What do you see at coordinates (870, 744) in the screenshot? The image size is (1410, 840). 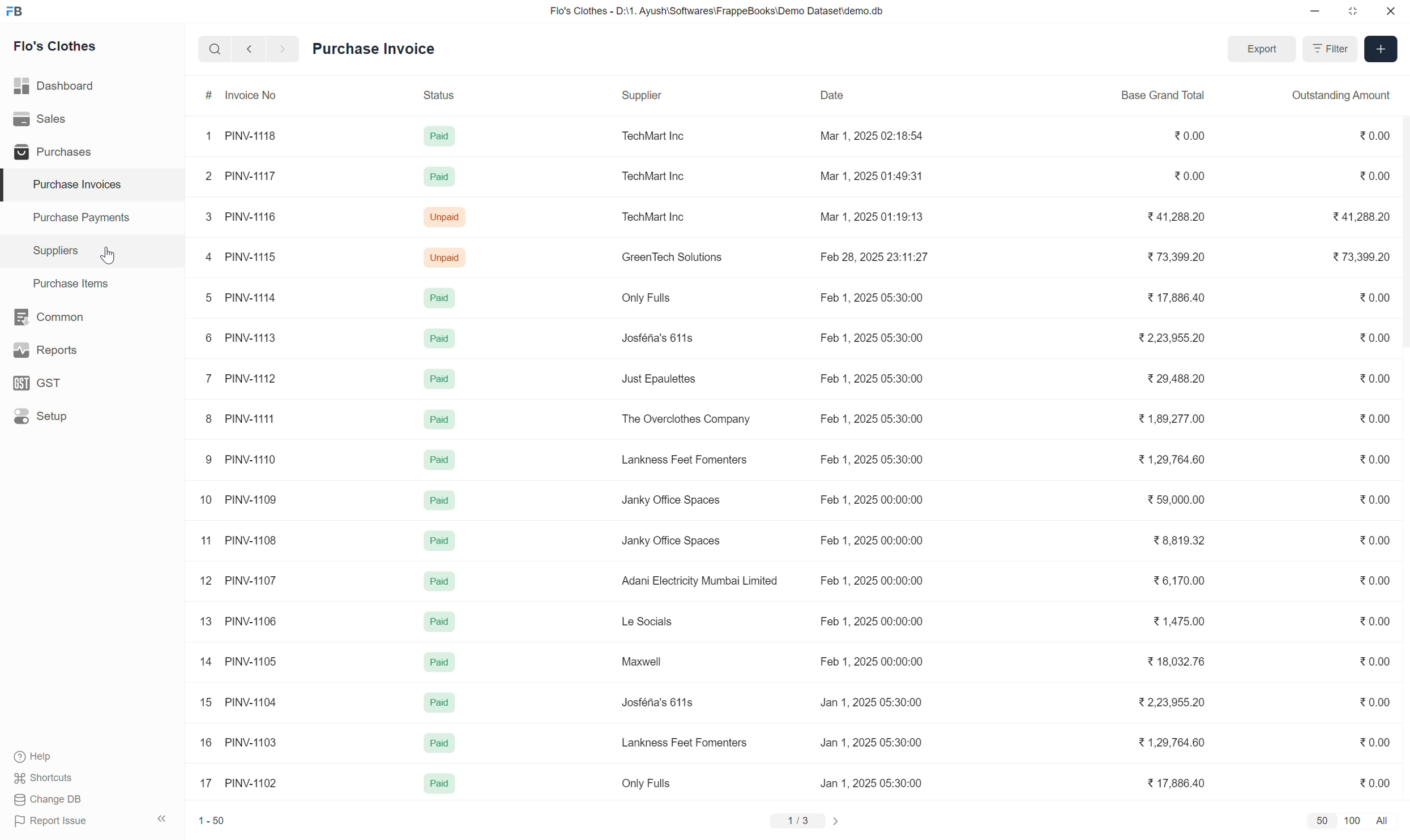 I see `Jan 1, 2025 05:30:00` at bounding box center [870, 744].